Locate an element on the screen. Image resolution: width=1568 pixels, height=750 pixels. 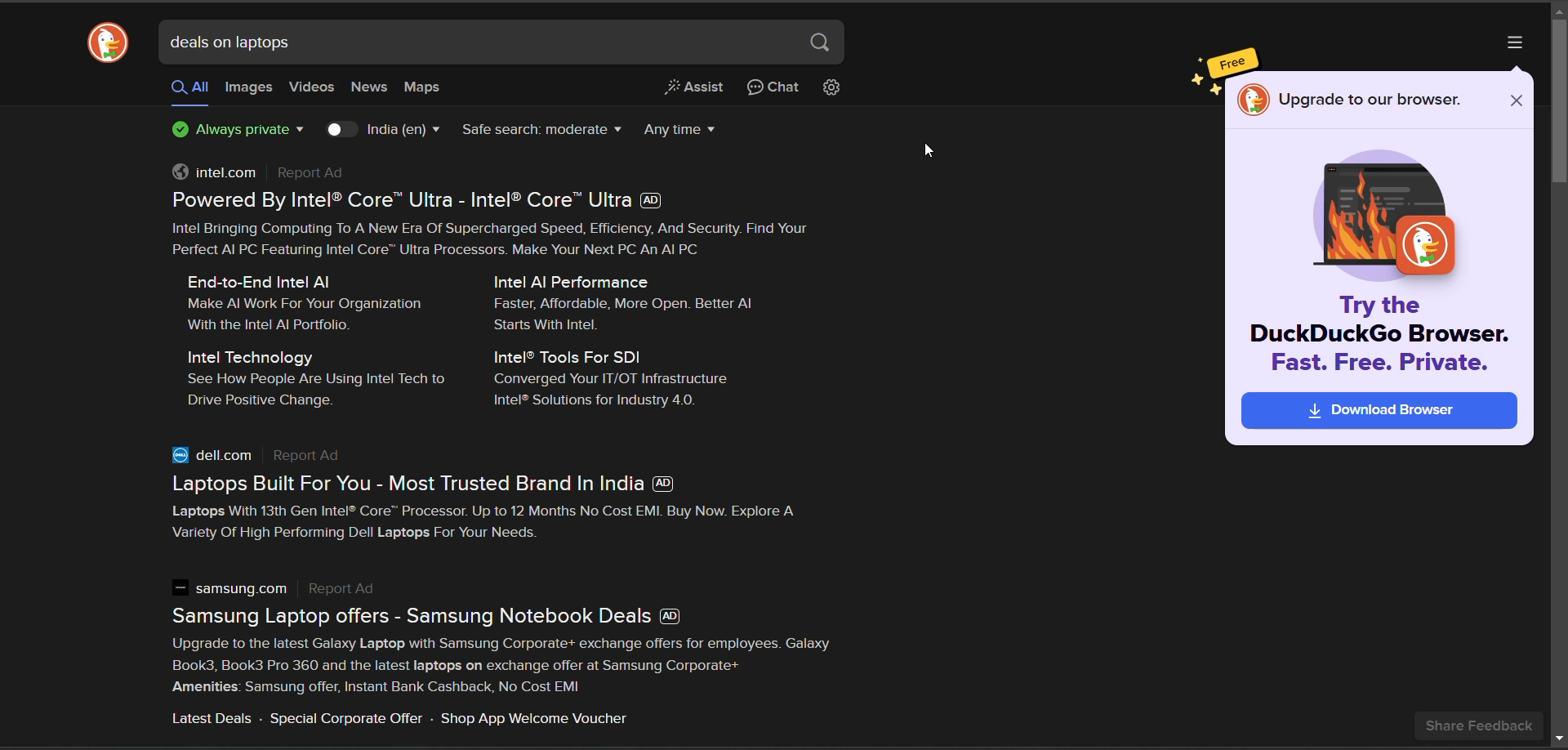
maps is located at coordinates (421, 87).